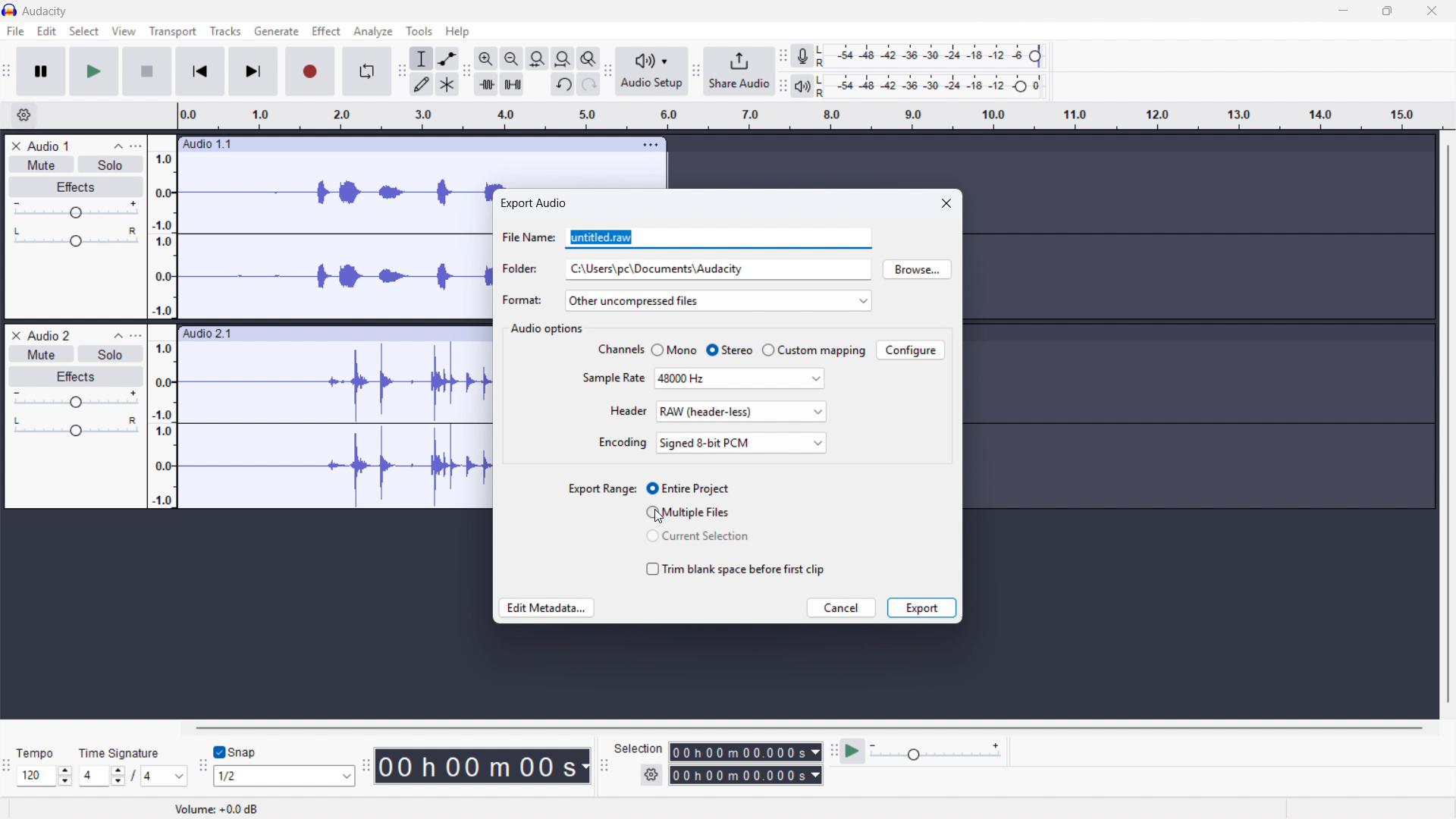 This screenshot has height=819, width=1456. What do you see at coordinates (174, 31) in the screenshot?
I see `Transport ` at bounding box center [174, 31].